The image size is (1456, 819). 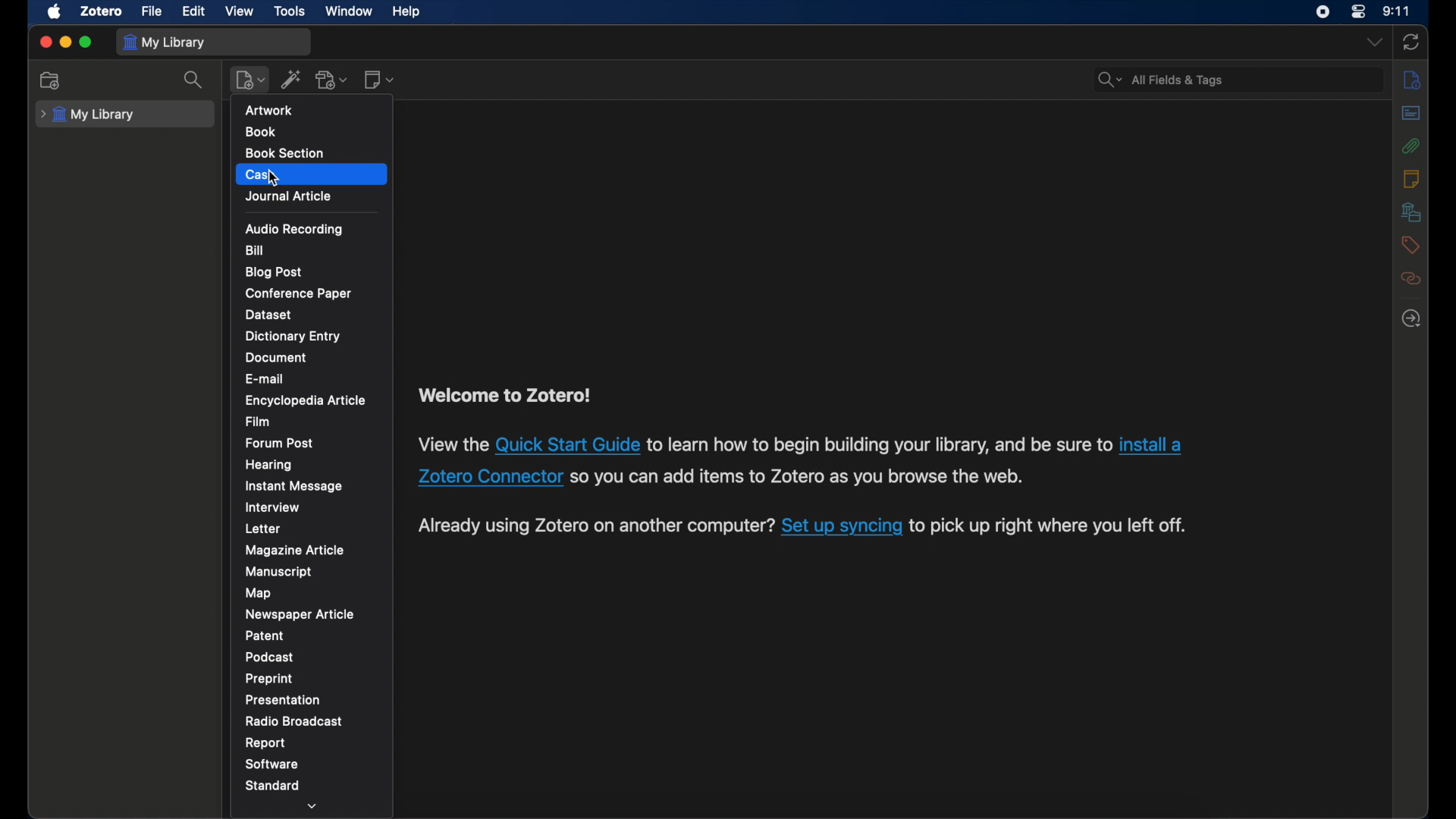 What do you see at coordinates (259, 593) in the screenshot?
I see `map` at bounding box center [259, 593].